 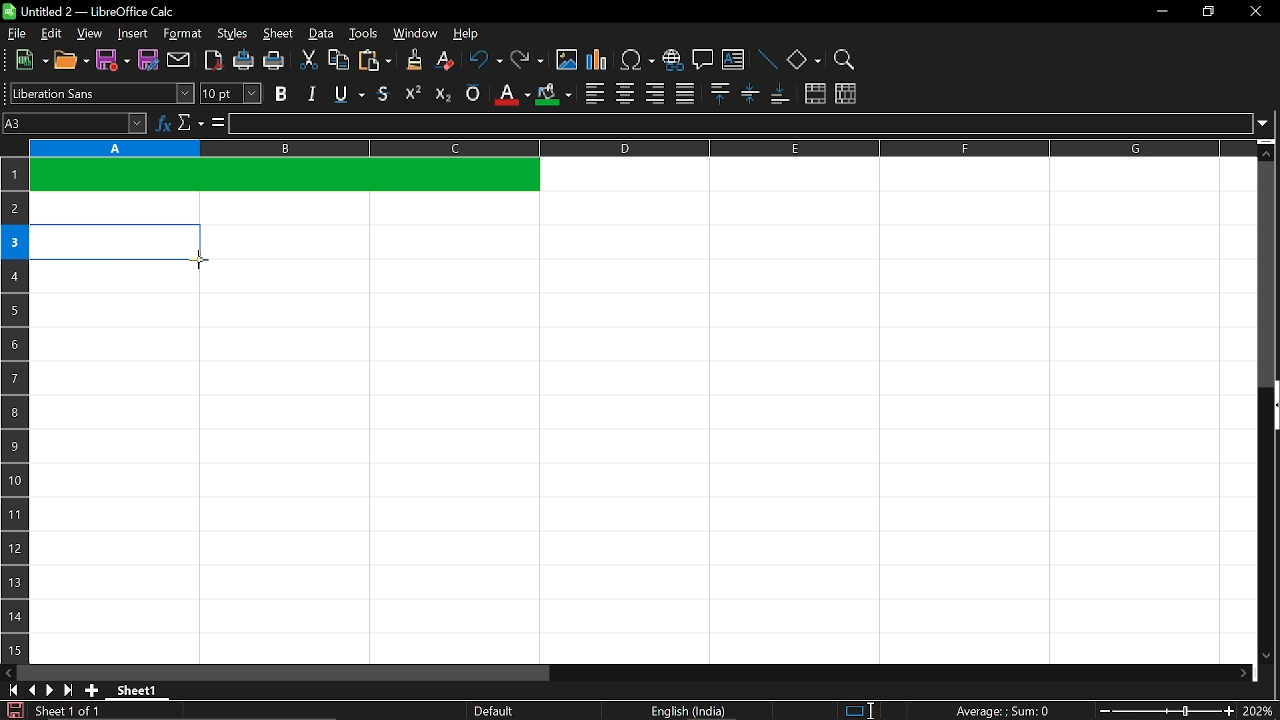 I want to click on sheet, so click(x=278, y=34).